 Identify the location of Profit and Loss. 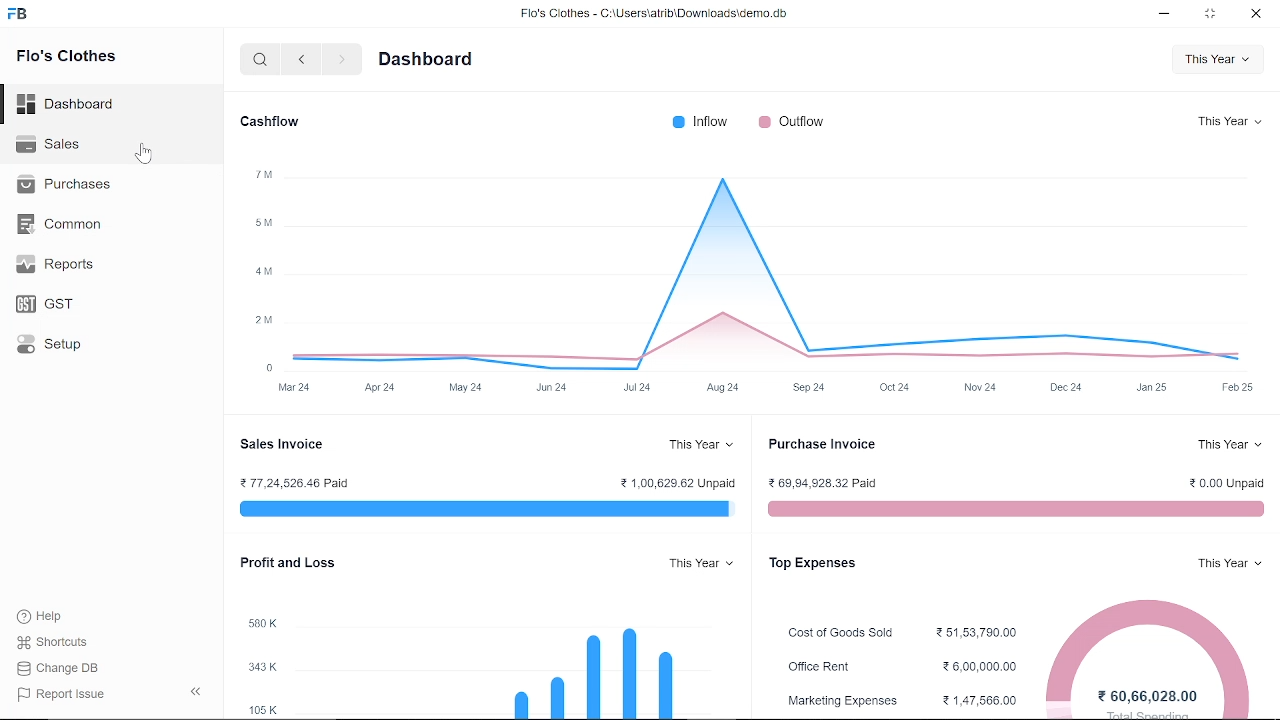
(287, 564).